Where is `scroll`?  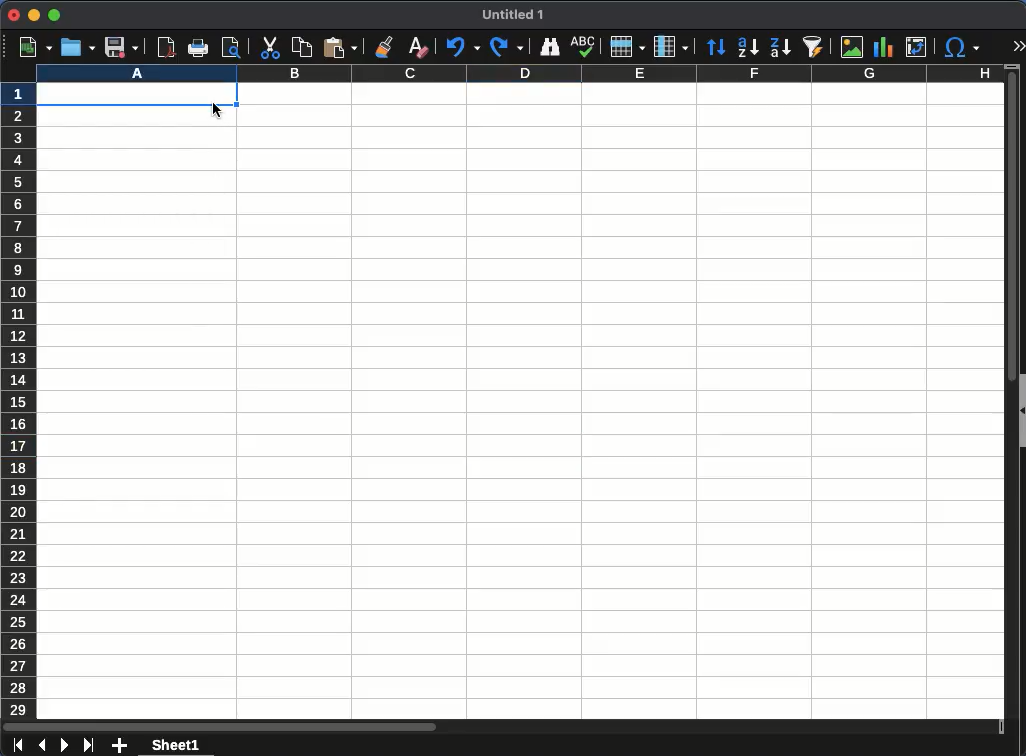 scroll is located at coordinates (1005, 403).